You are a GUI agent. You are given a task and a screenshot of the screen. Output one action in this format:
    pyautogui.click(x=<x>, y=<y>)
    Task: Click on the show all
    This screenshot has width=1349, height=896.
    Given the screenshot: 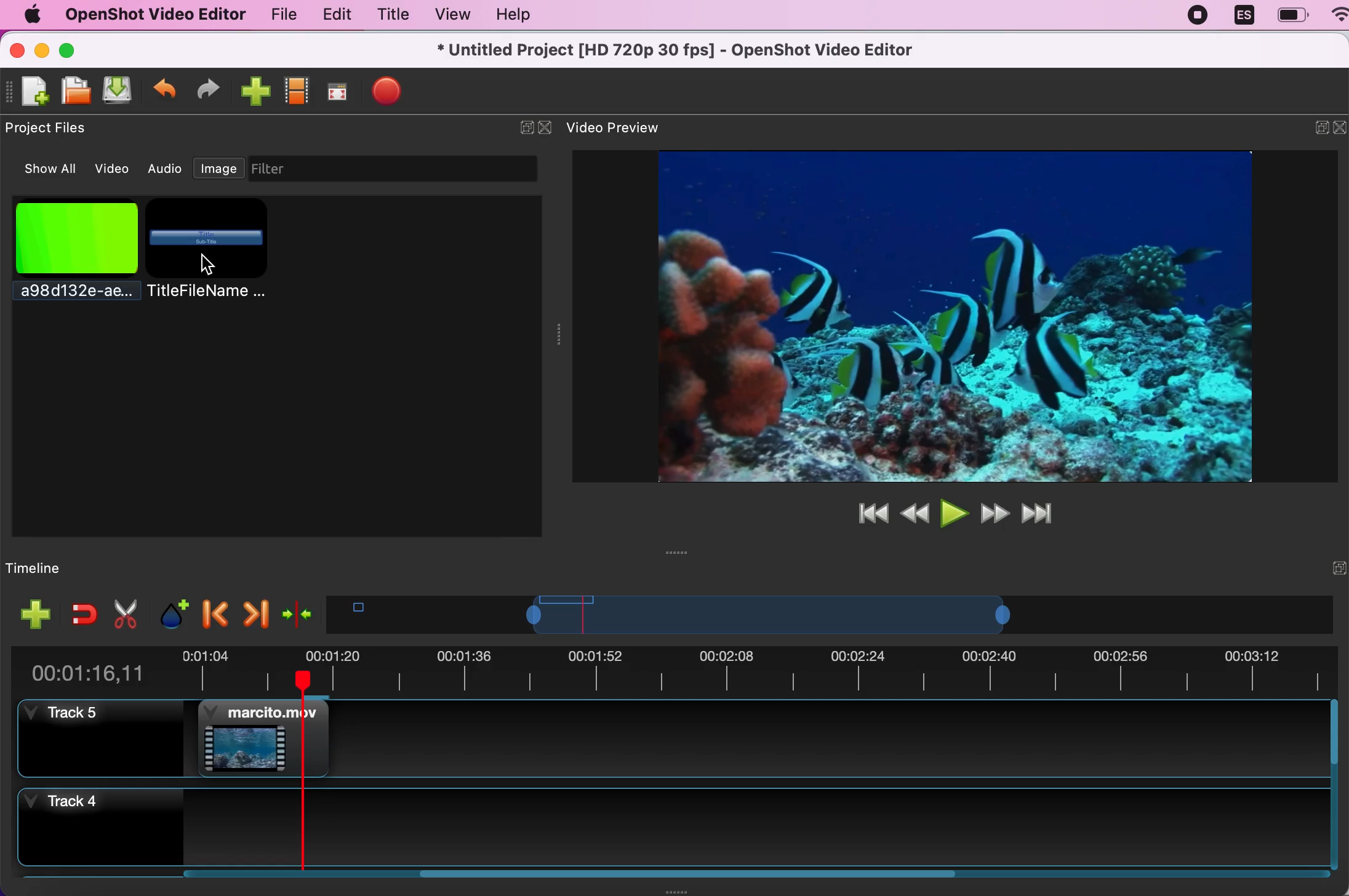 What is the action you would take?
    pyautogui.click(x=44, y=169)
    